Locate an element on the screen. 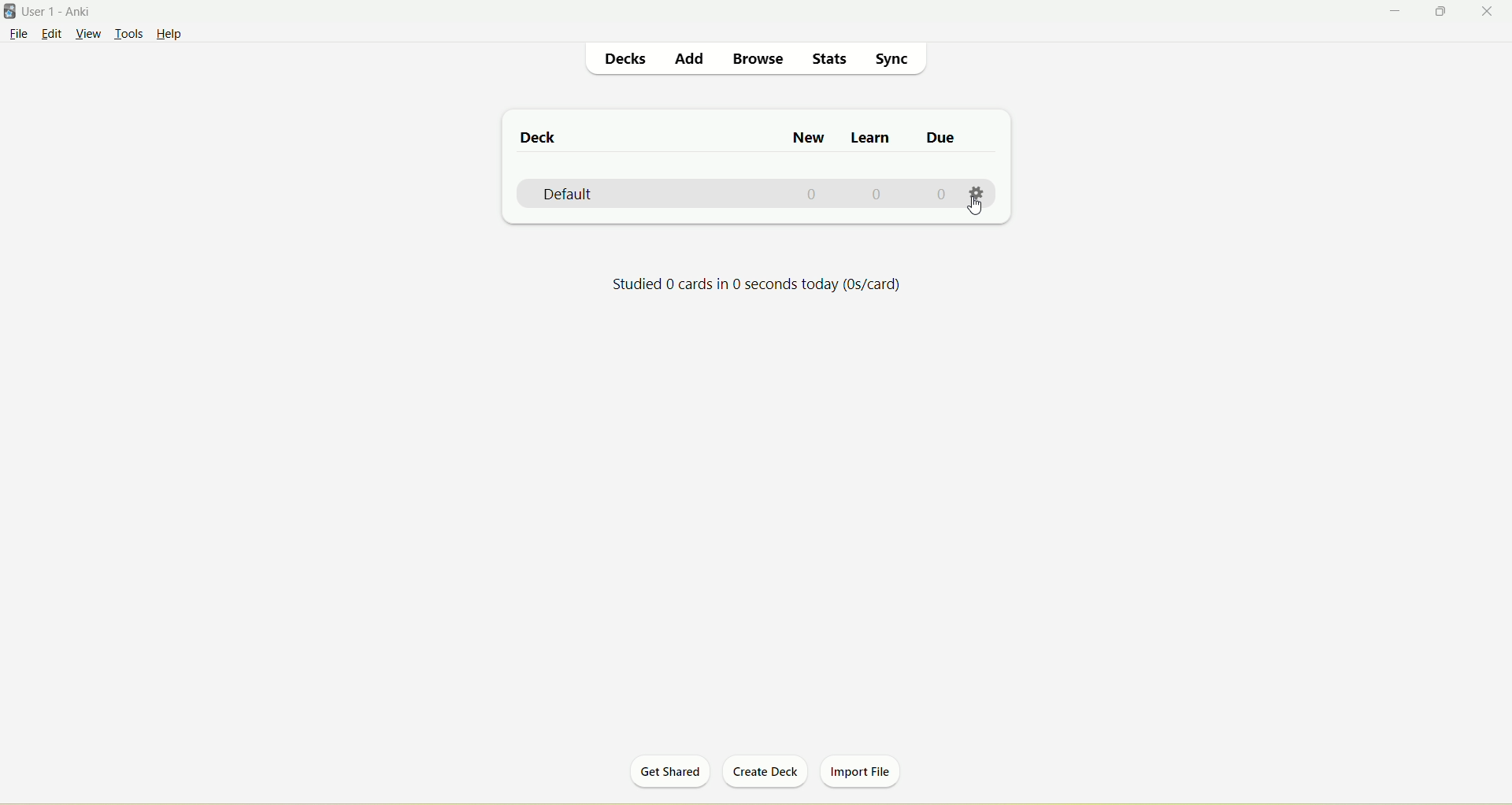  file is located at coordinates (17, 34).